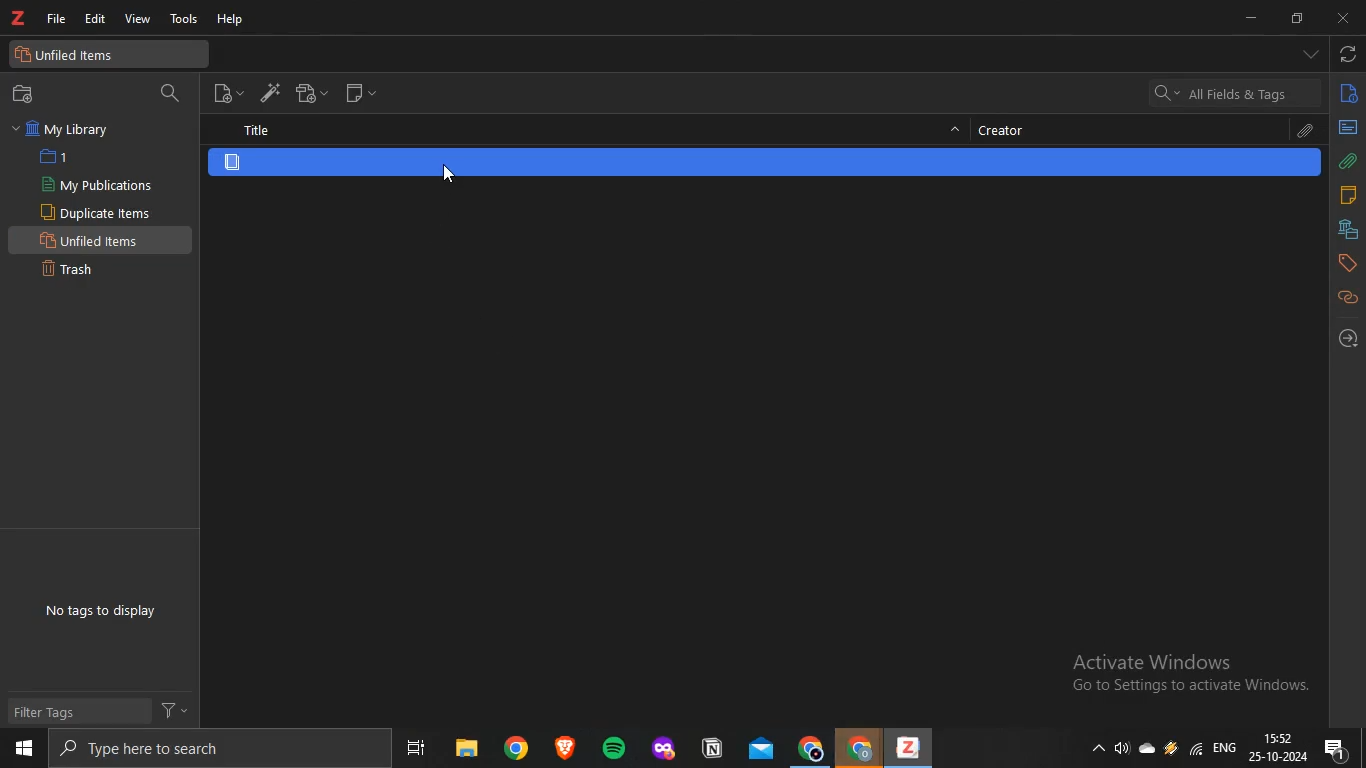 The image size is (1366, 768). What do you see at coordinates (96, 185) in the screenshot?
I see `My Publications` at bounding box center [96, 185].